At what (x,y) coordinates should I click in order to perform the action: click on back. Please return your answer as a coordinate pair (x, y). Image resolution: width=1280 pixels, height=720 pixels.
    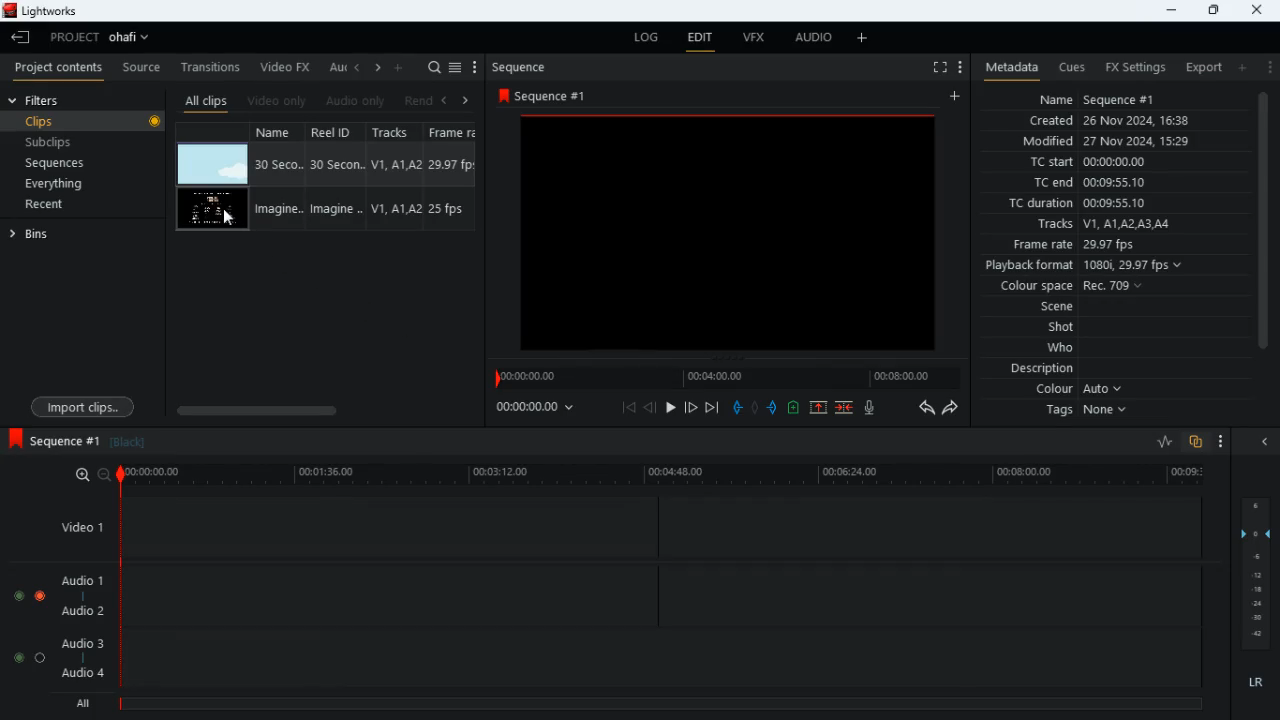
    Looking at the image, I should click on (650, 408).